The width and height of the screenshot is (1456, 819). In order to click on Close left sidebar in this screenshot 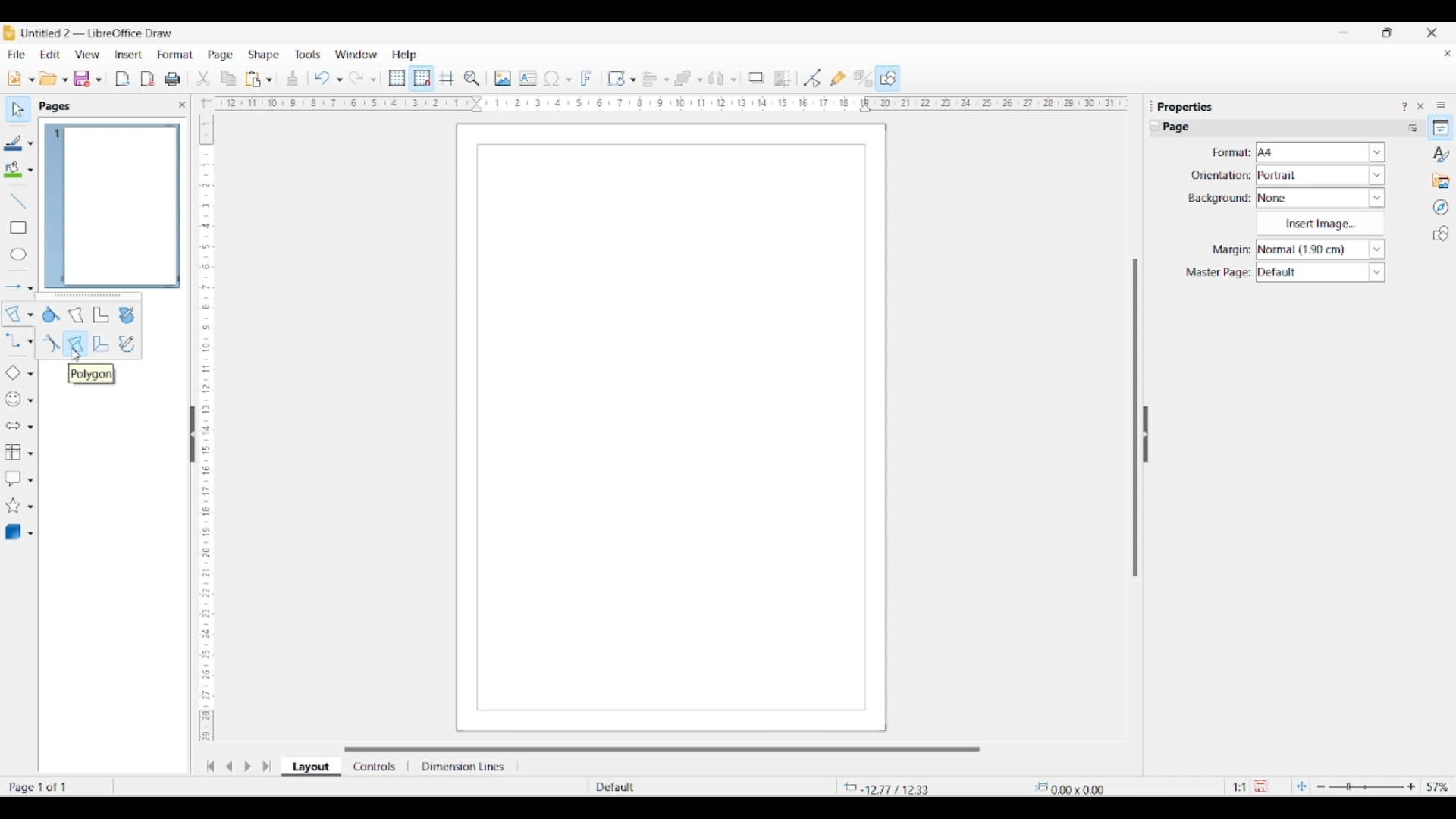, I will do `click(182, 105)`.